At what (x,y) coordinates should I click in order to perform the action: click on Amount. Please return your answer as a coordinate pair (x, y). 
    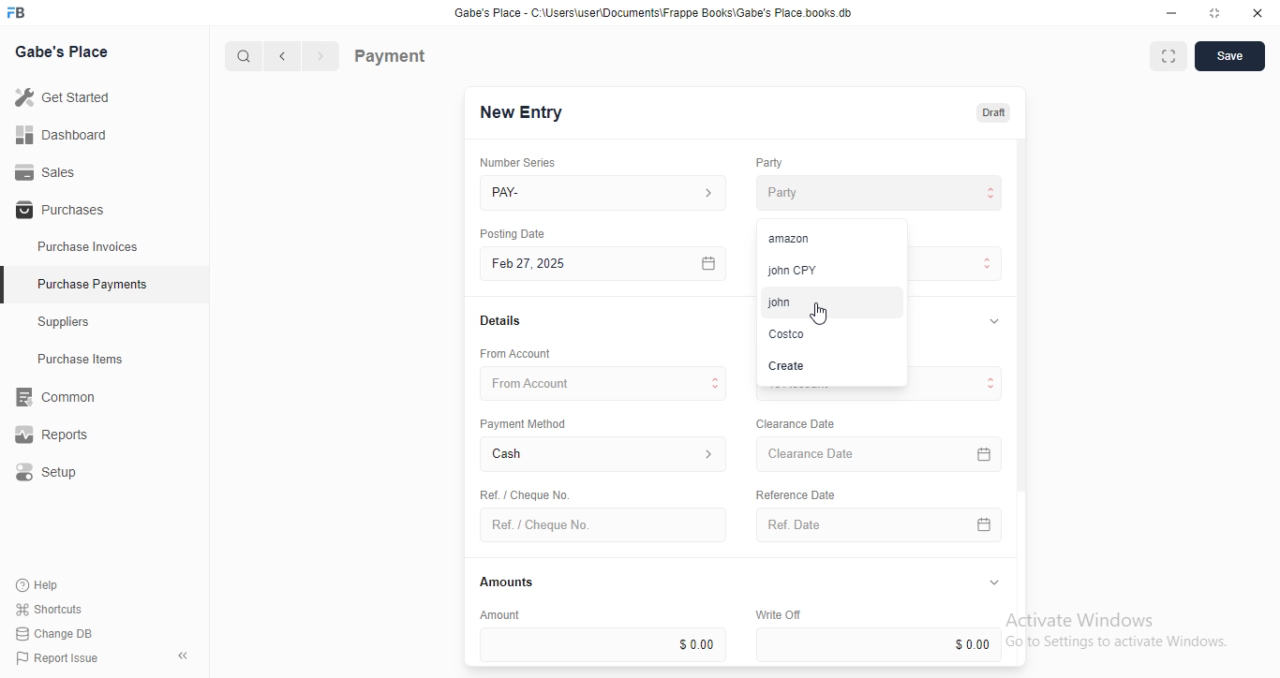
    Looking at the image, I should click on (497, 614).